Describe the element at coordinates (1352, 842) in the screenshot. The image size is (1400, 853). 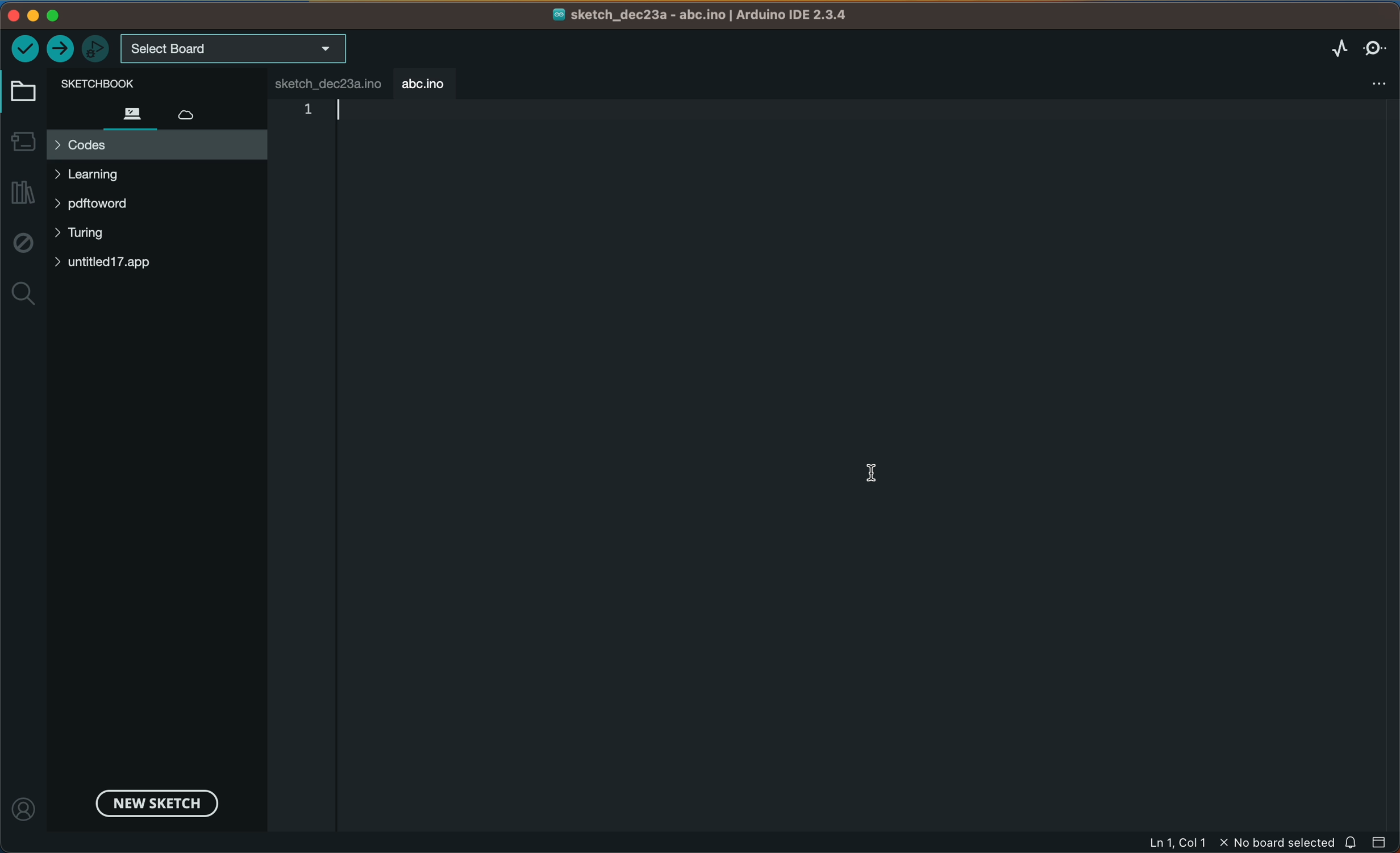
I see `notification` at that location.